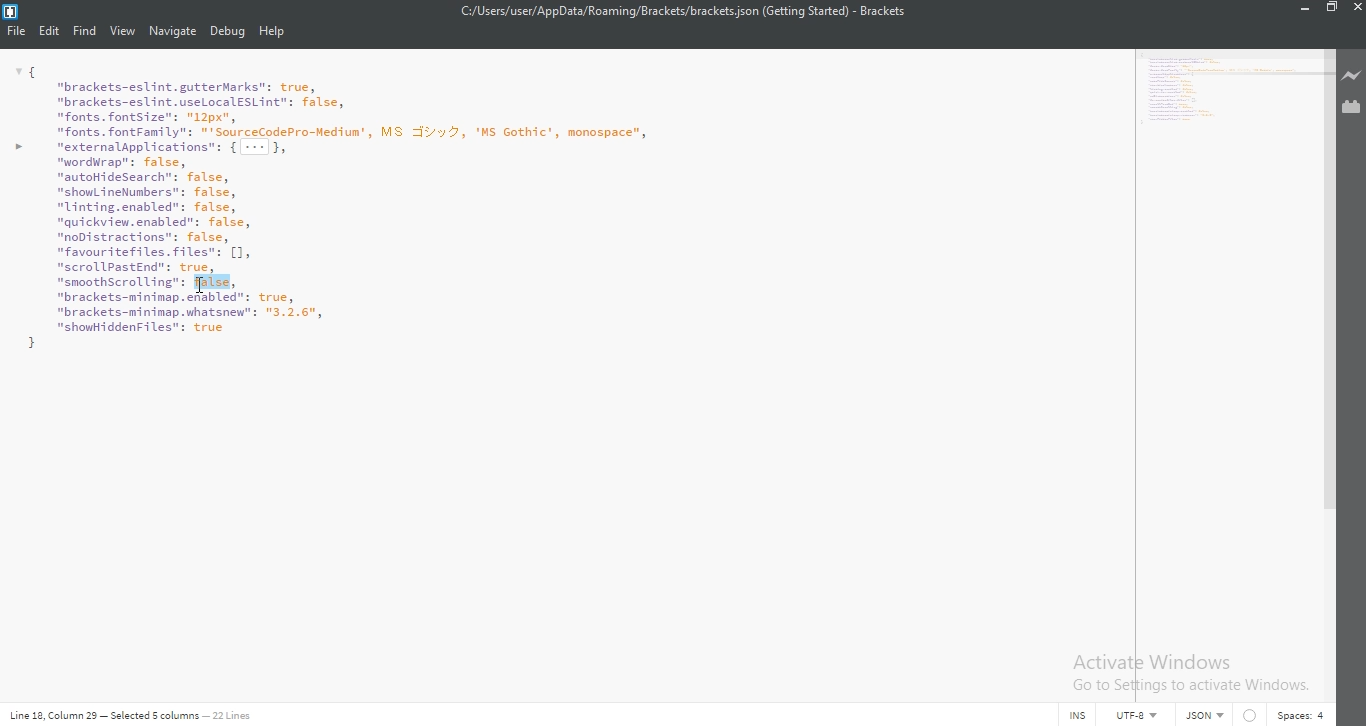 This screenshot has height=726, width=1366. What do you see at coordinates (172, 32) in the screenshot?
I see `Navigate` at bounding box center [172, 32].